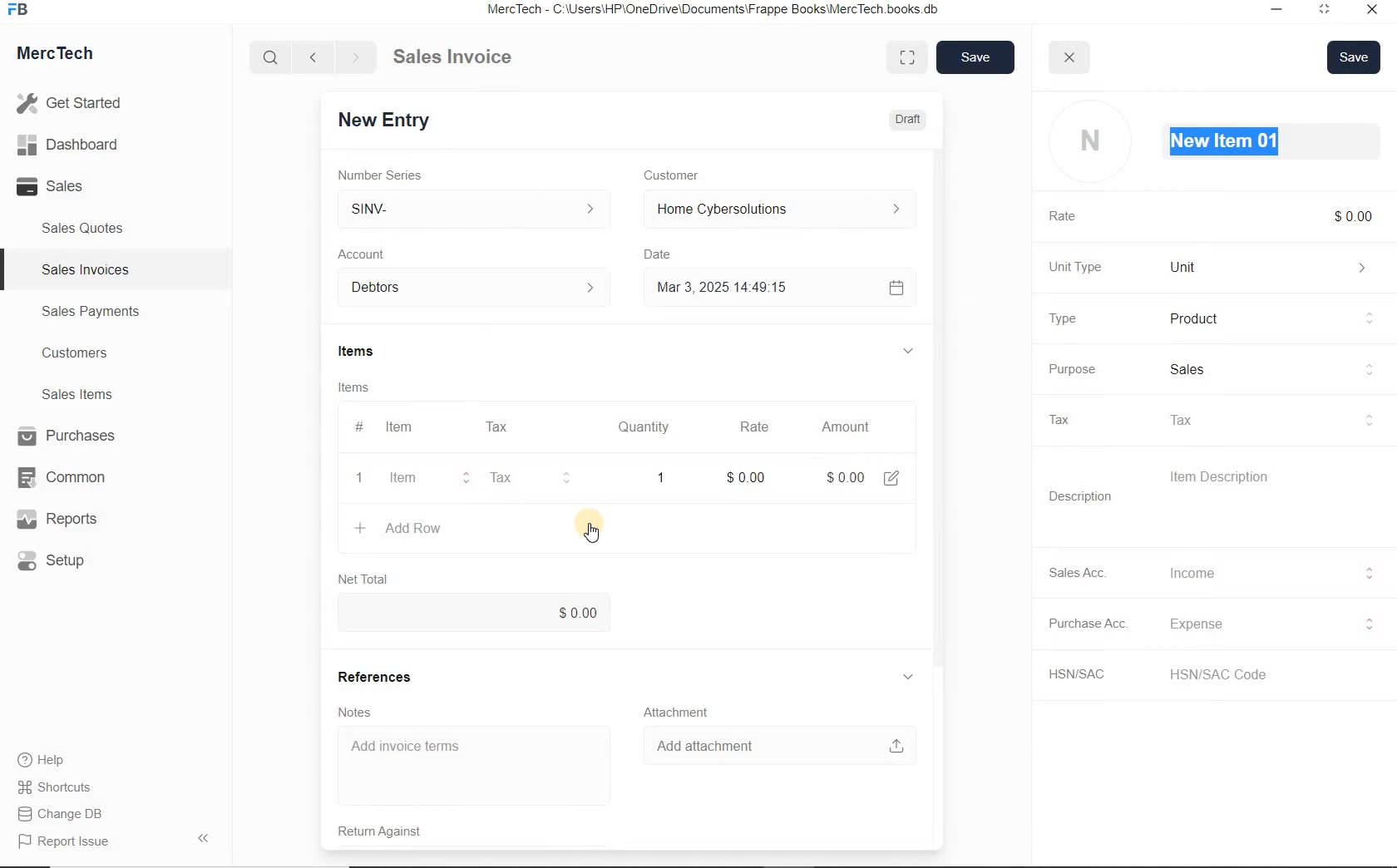 This screenshot has height=868, width=1397. What do you see at coordinates (719, 289) in the screenshot?
I see `Mar 3, 2025 14:49:15` at bounding box center [719, 289].